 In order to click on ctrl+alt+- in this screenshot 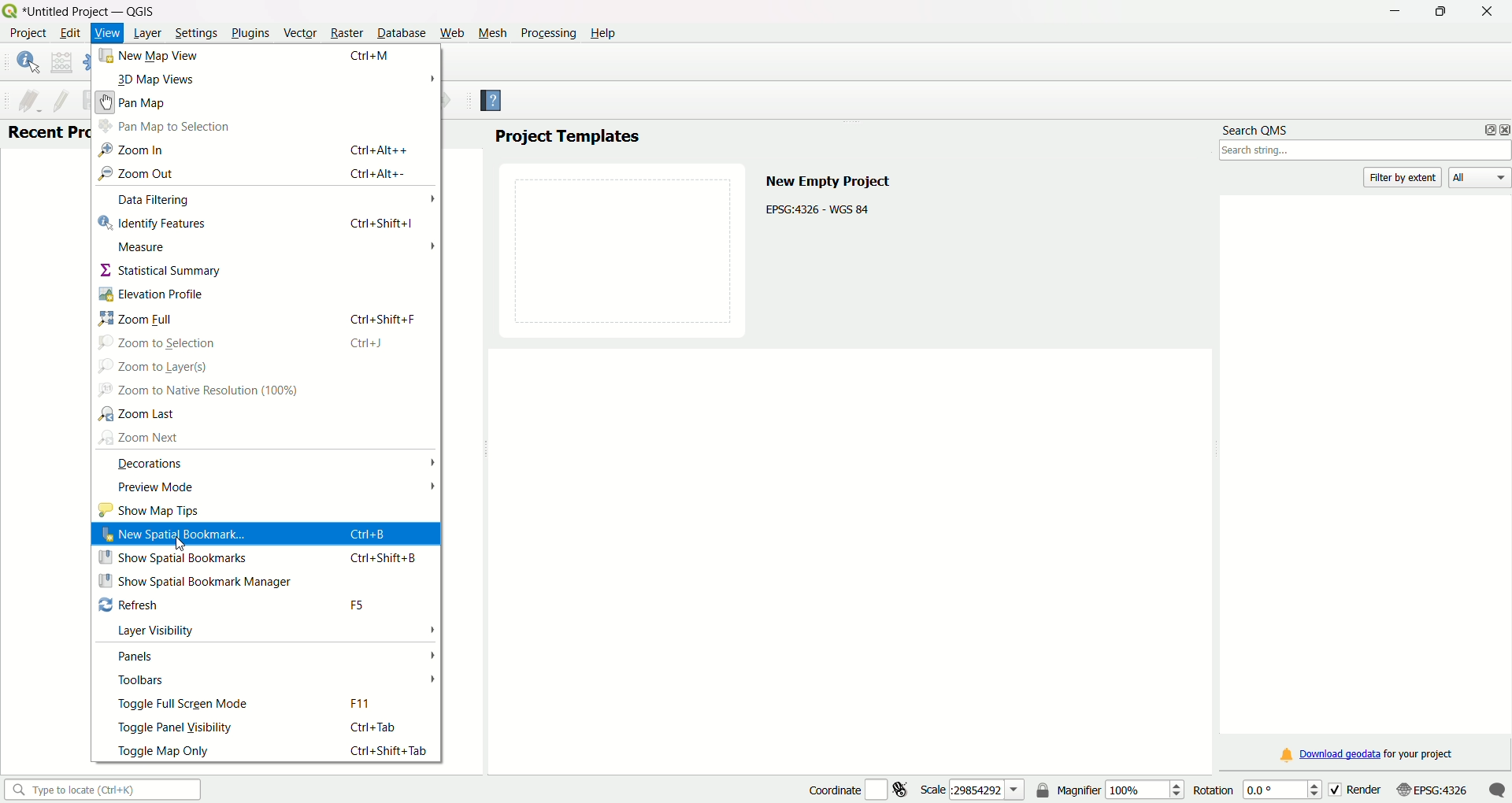, I will do `click(377, 172)`.